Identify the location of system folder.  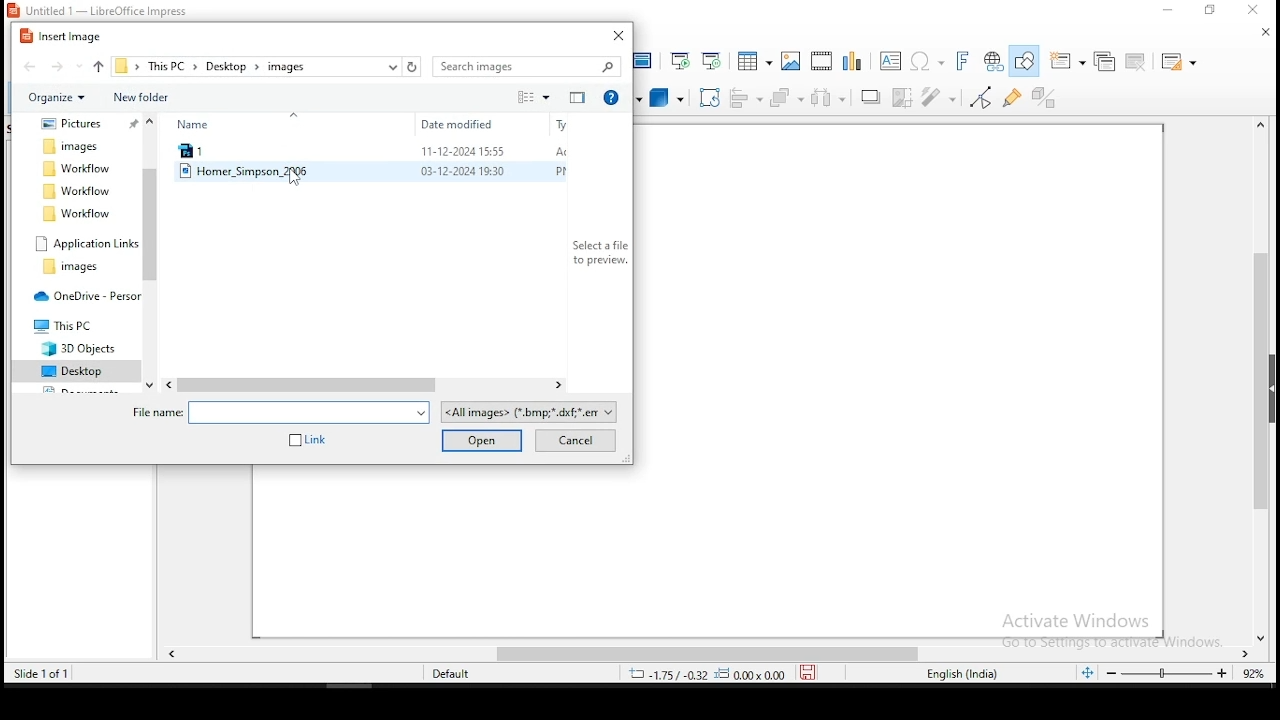
(82, 348).